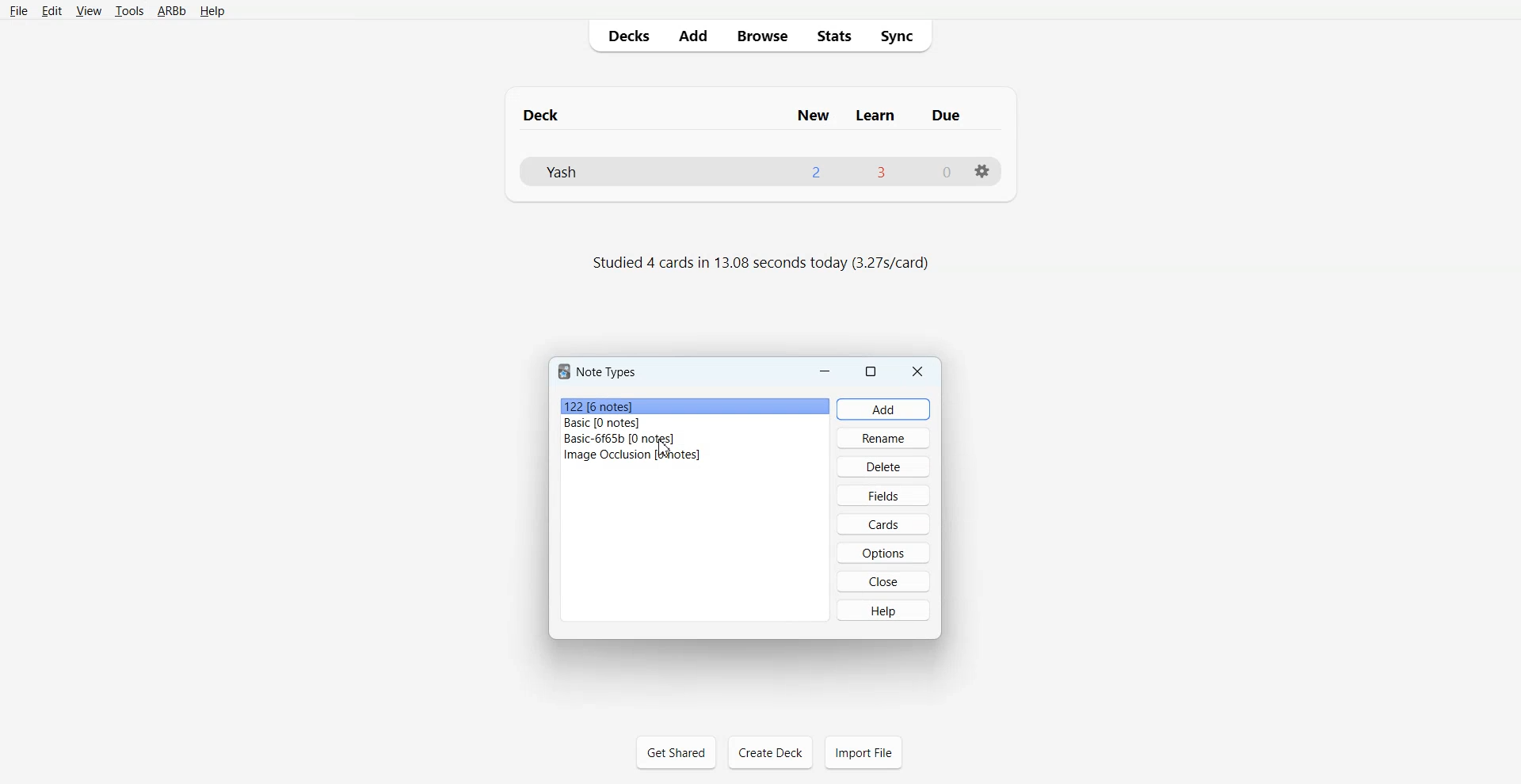 Image resolution: width=1521 pixels, height=784 pixels. I want to click on Edit, so click(51, 10).